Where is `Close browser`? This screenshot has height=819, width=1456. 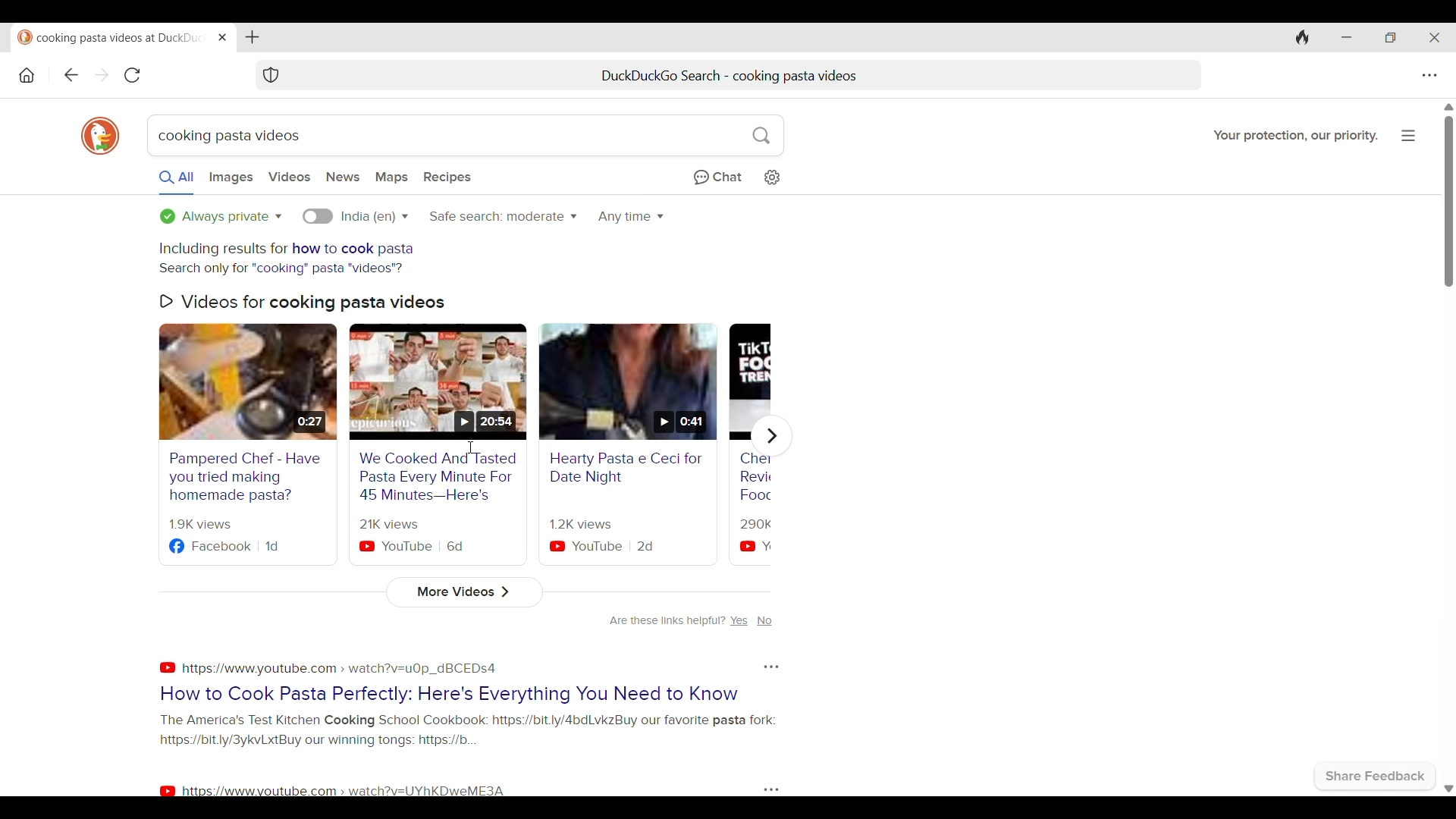
Close browser is located at coordinates (1435, 38).